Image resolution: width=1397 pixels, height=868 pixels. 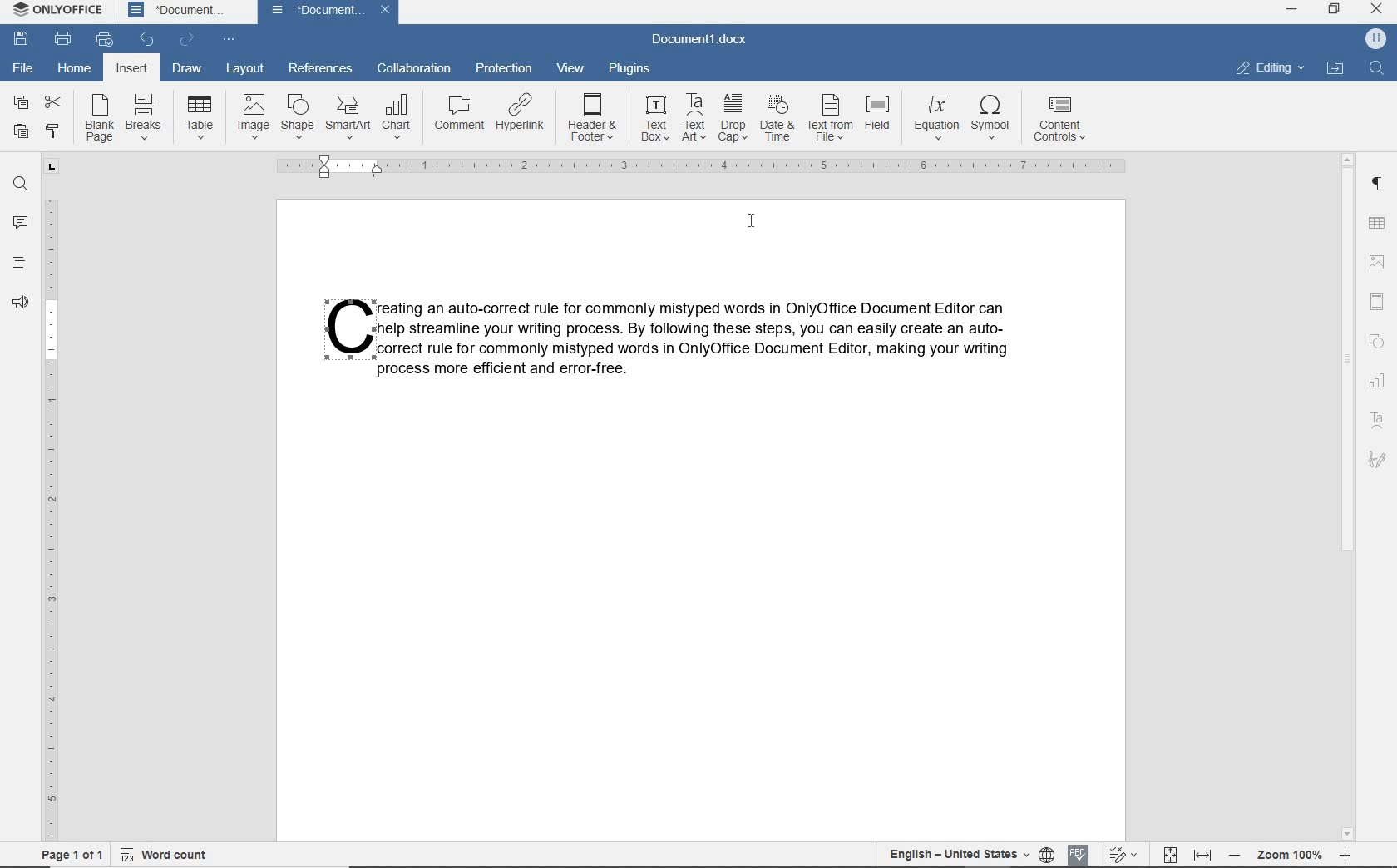 What do you see at coordinates (63, 37) in the screenshot?
I see `print` at bounding box center [63, 37].